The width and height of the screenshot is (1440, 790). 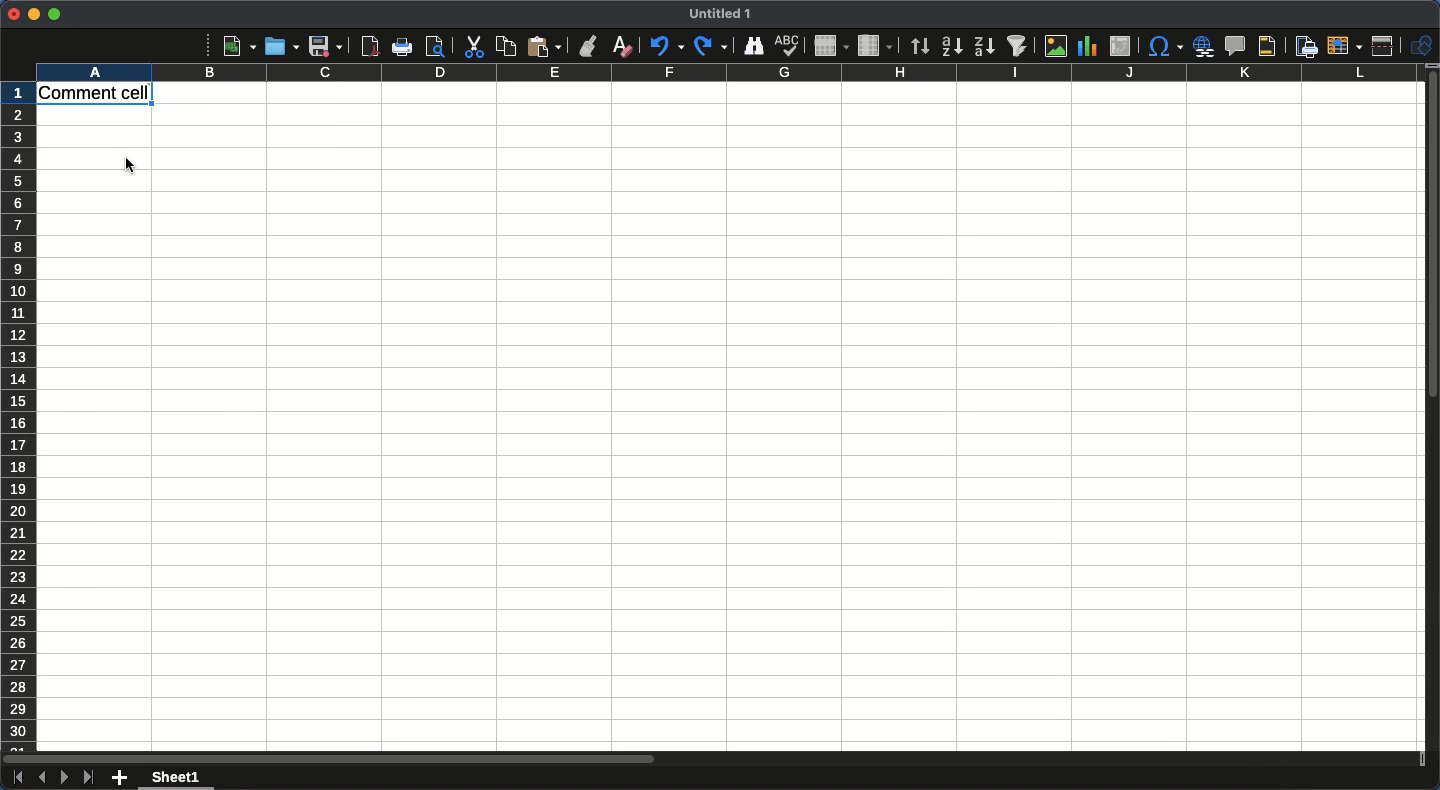 I want to click on cursor position, so click(x=123, y=157).